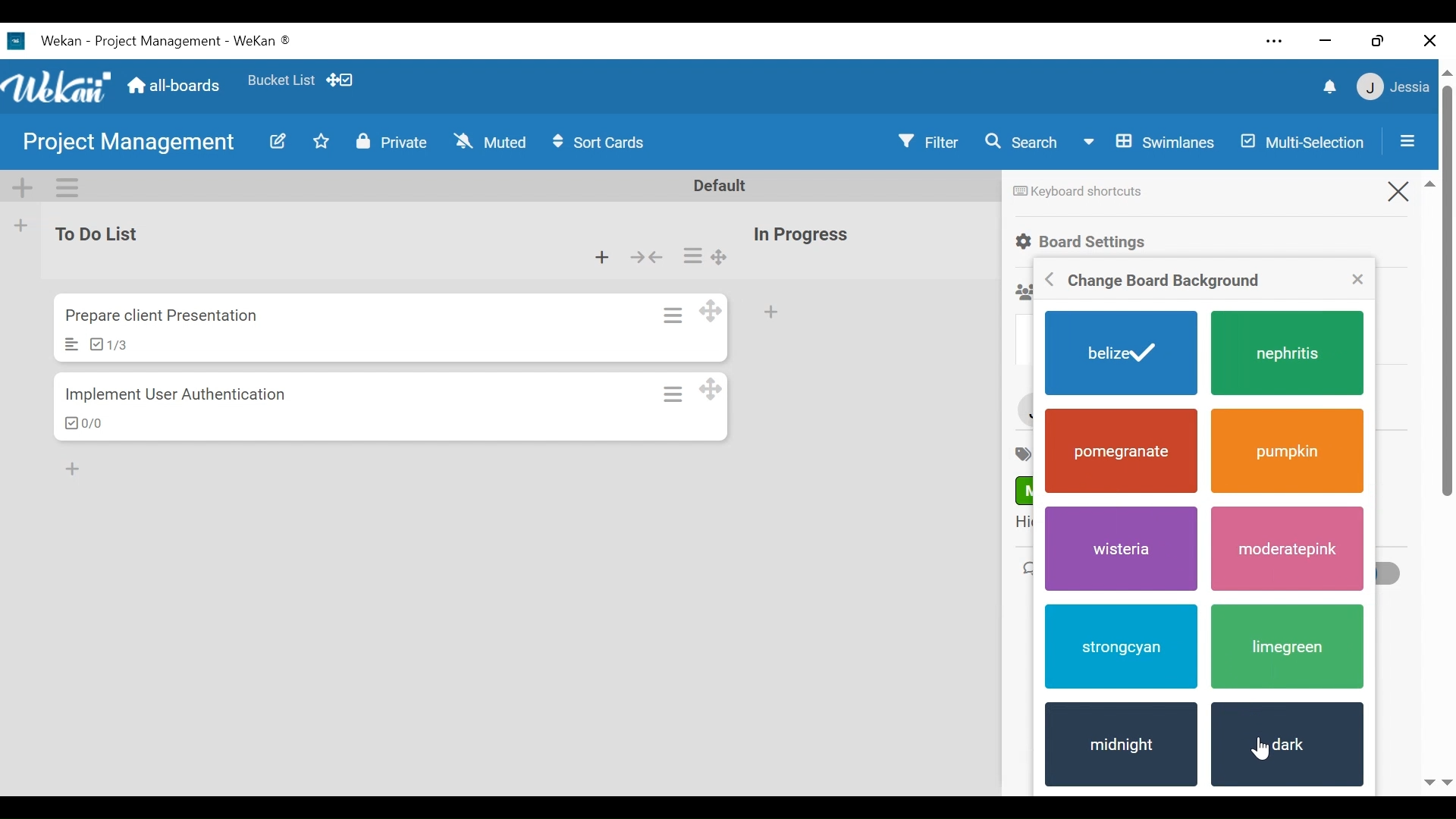 This screenshot has width=1456, height=819. I want to click on Card Title, so click(178, 397).